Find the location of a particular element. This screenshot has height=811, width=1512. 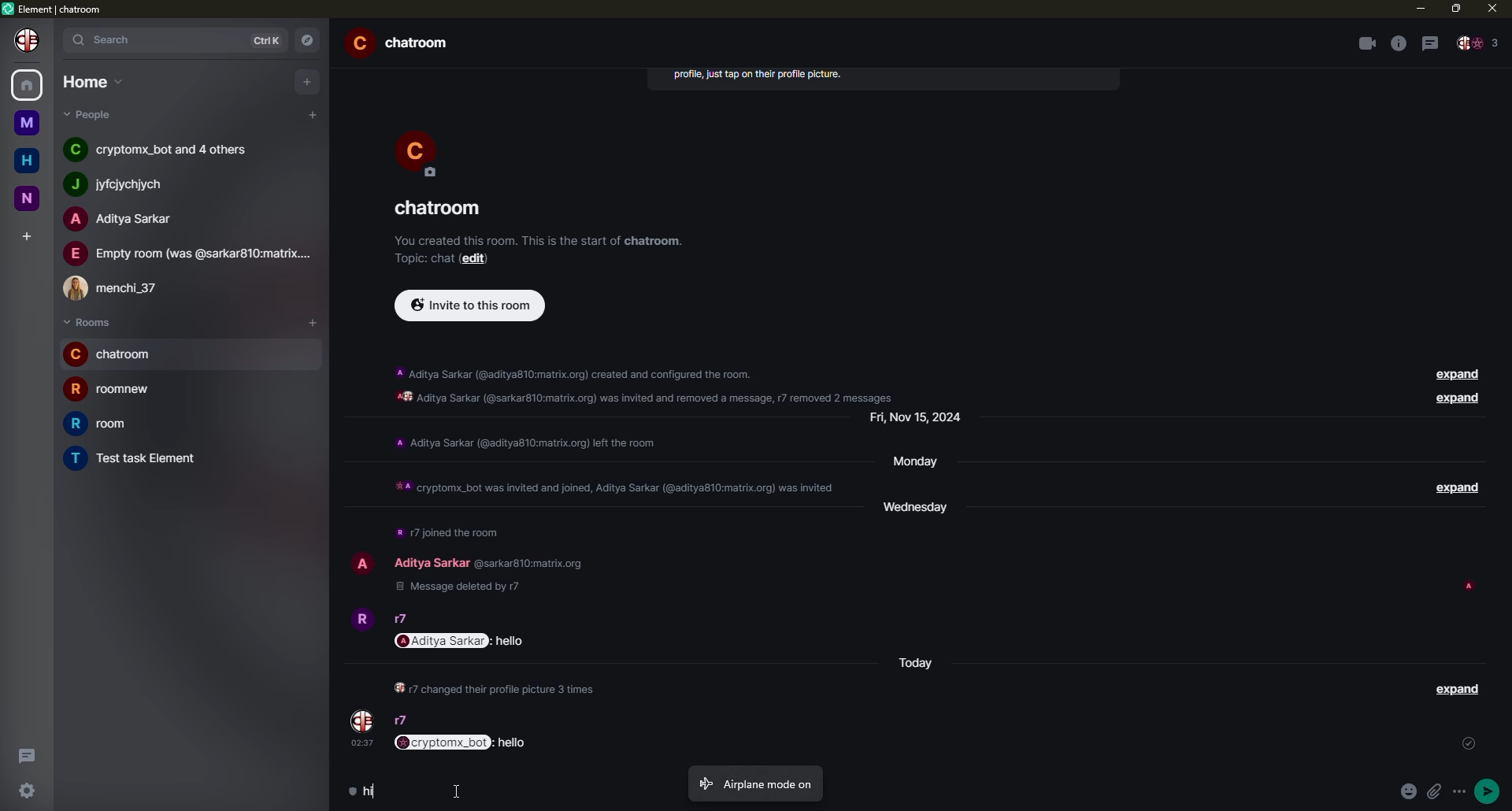

info is located at coordinates (495, 688).